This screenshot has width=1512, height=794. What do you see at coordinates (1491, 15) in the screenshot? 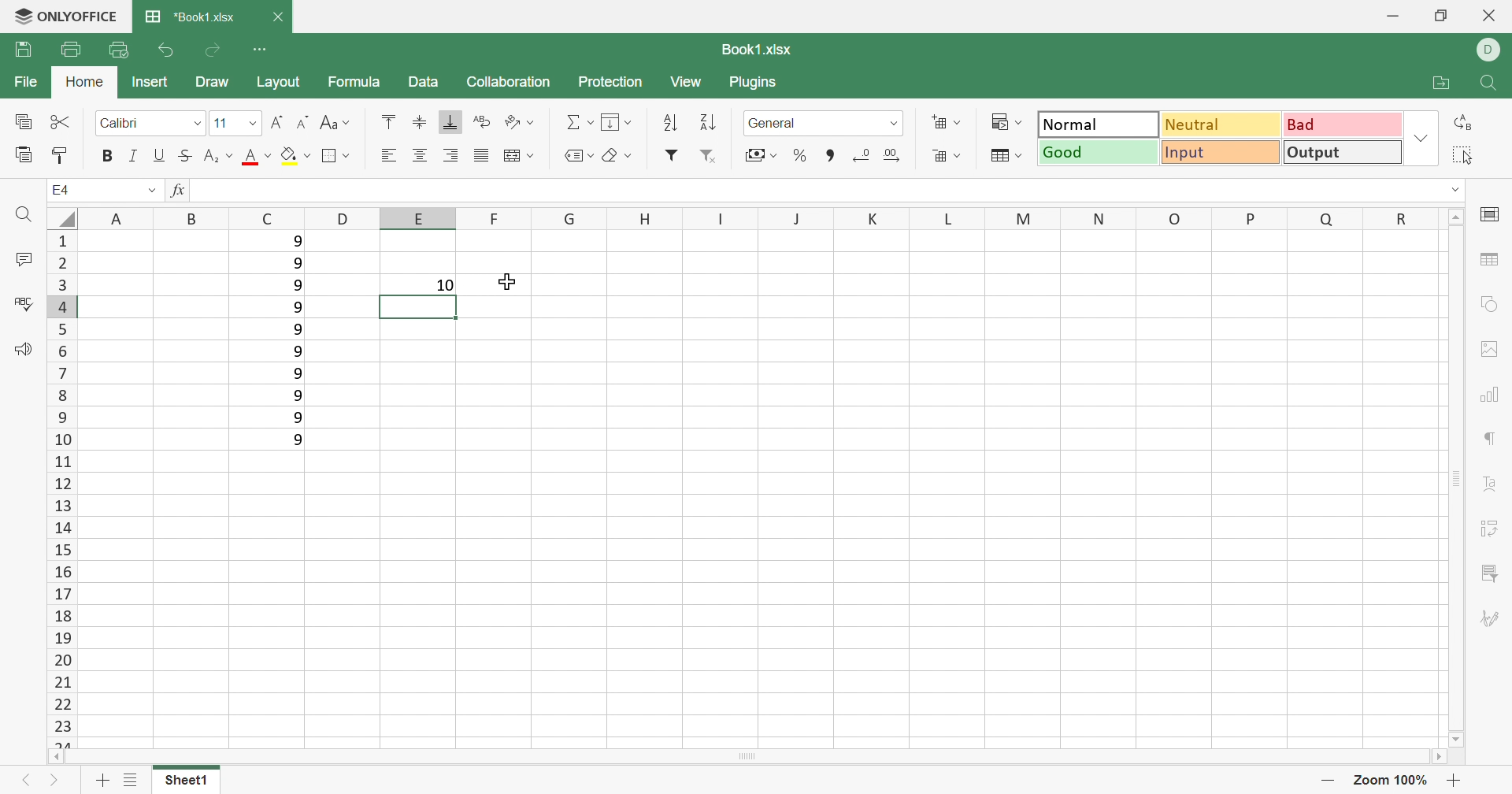
I see `Close` at bounding box center [1491, 15].